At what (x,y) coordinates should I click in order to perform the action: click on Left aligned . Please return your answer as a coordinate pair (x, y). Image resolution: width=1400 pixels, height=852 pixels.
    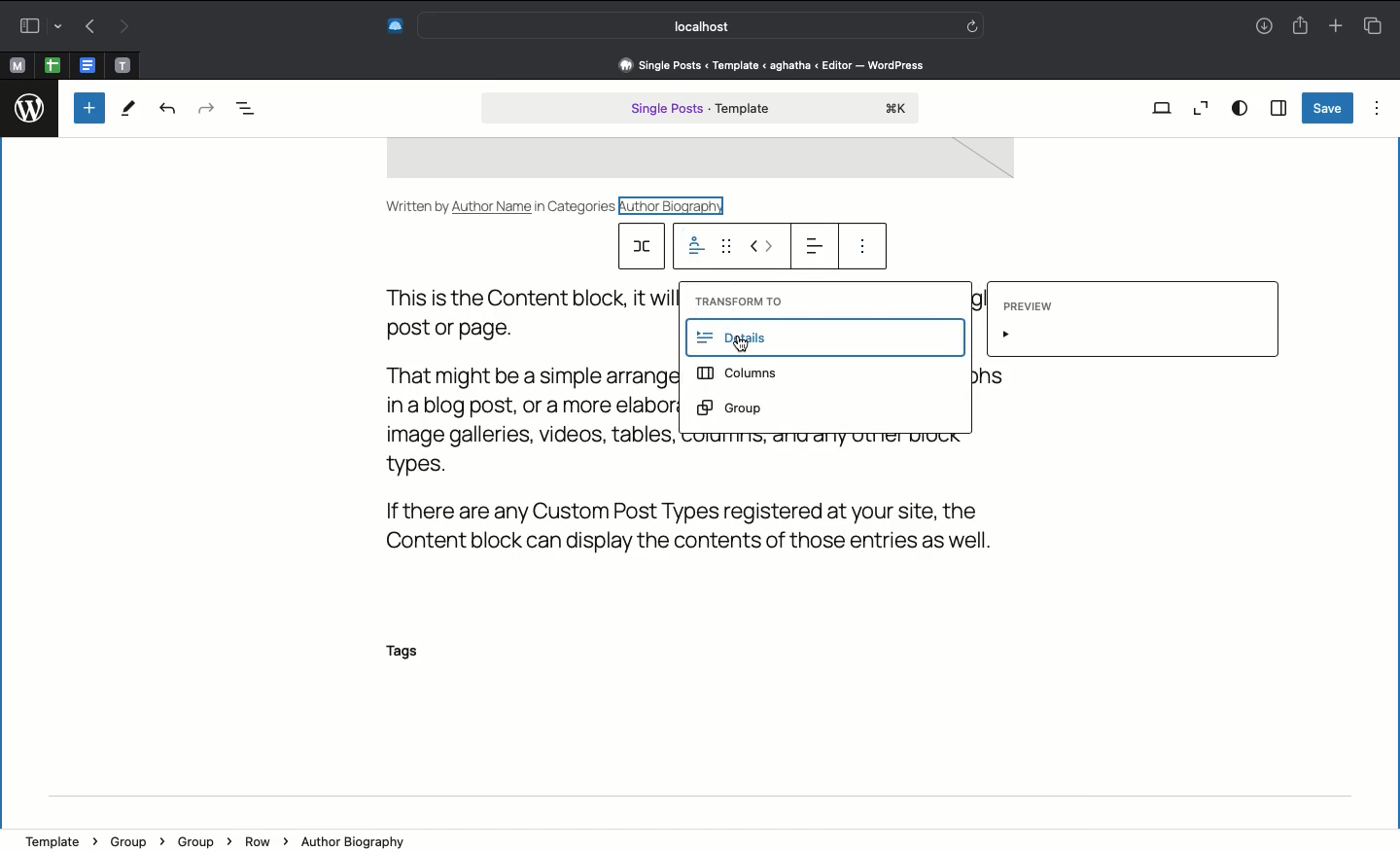
    Looking at the image, I should click on (812, 245).